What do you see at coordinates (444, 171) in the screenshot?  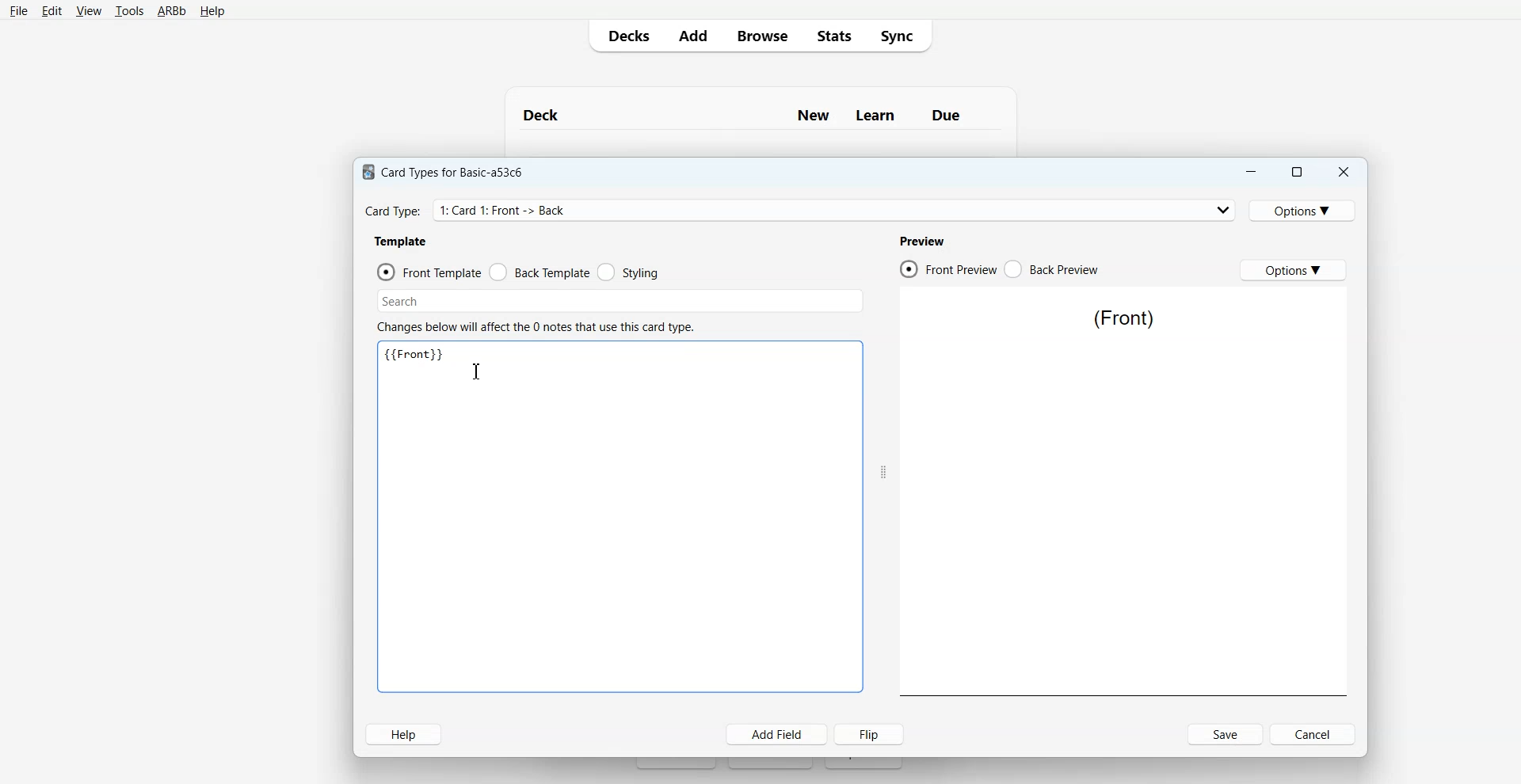 I see `Card Types for Basic-a53c6` at bounding box center [444, 171].